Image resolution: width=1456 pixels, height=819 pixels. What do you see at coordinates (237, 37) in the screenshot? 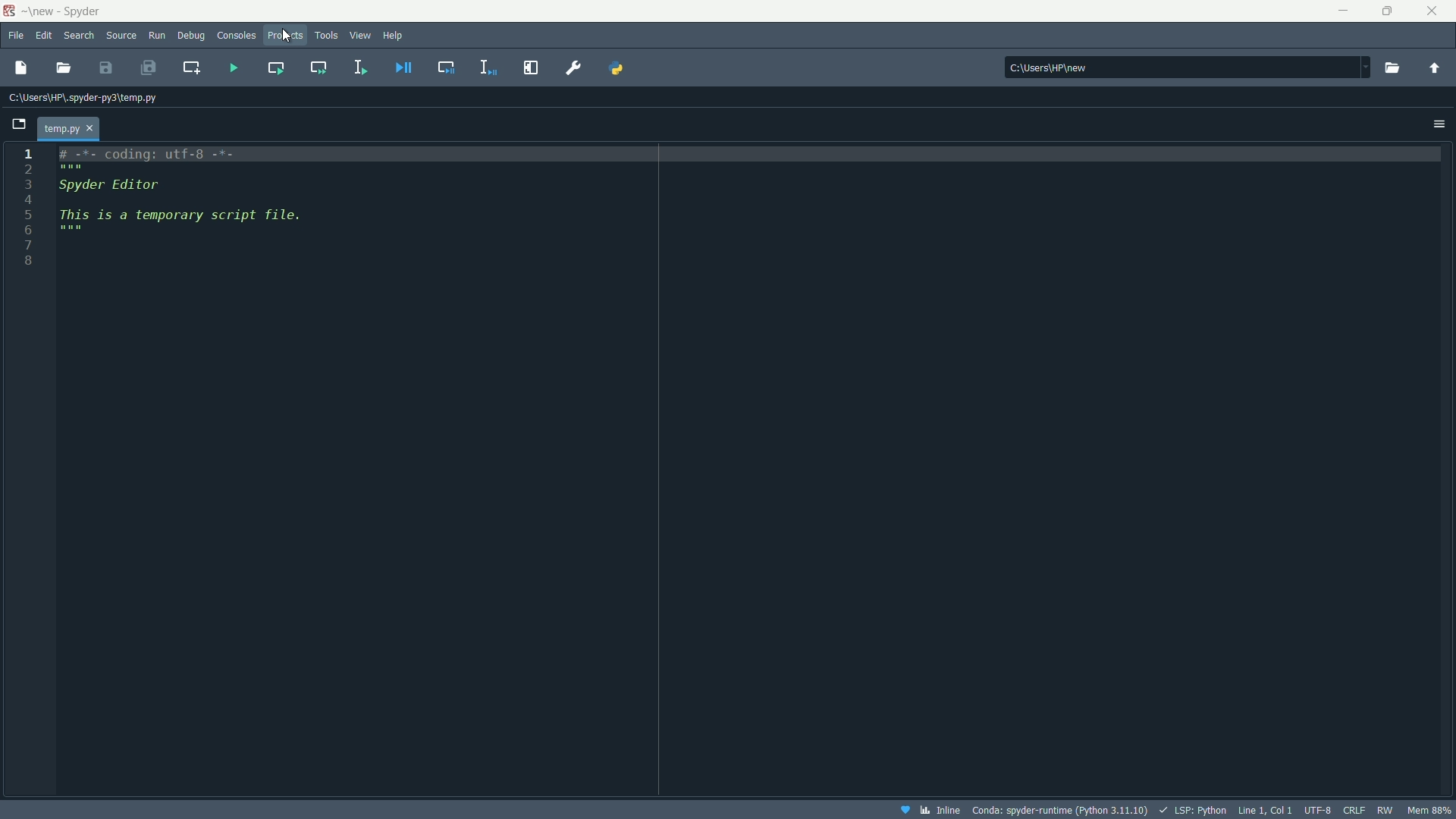
I see `Consoles menu` at bounding box center [237, 37].